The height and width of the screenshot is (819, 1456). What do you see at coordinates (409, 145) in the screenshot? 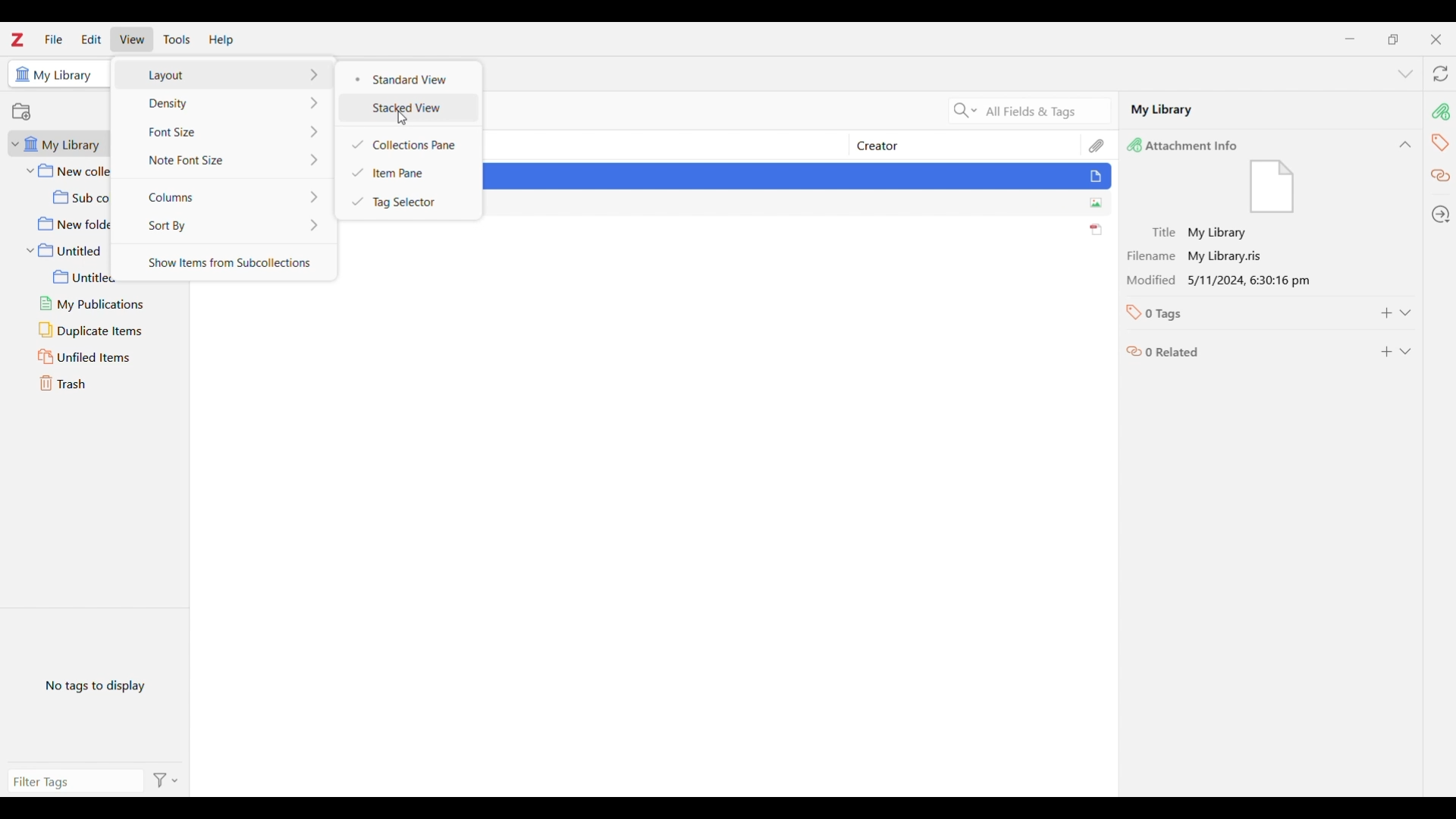
I see `Collections pane checked` at bounding box center [409, 145].